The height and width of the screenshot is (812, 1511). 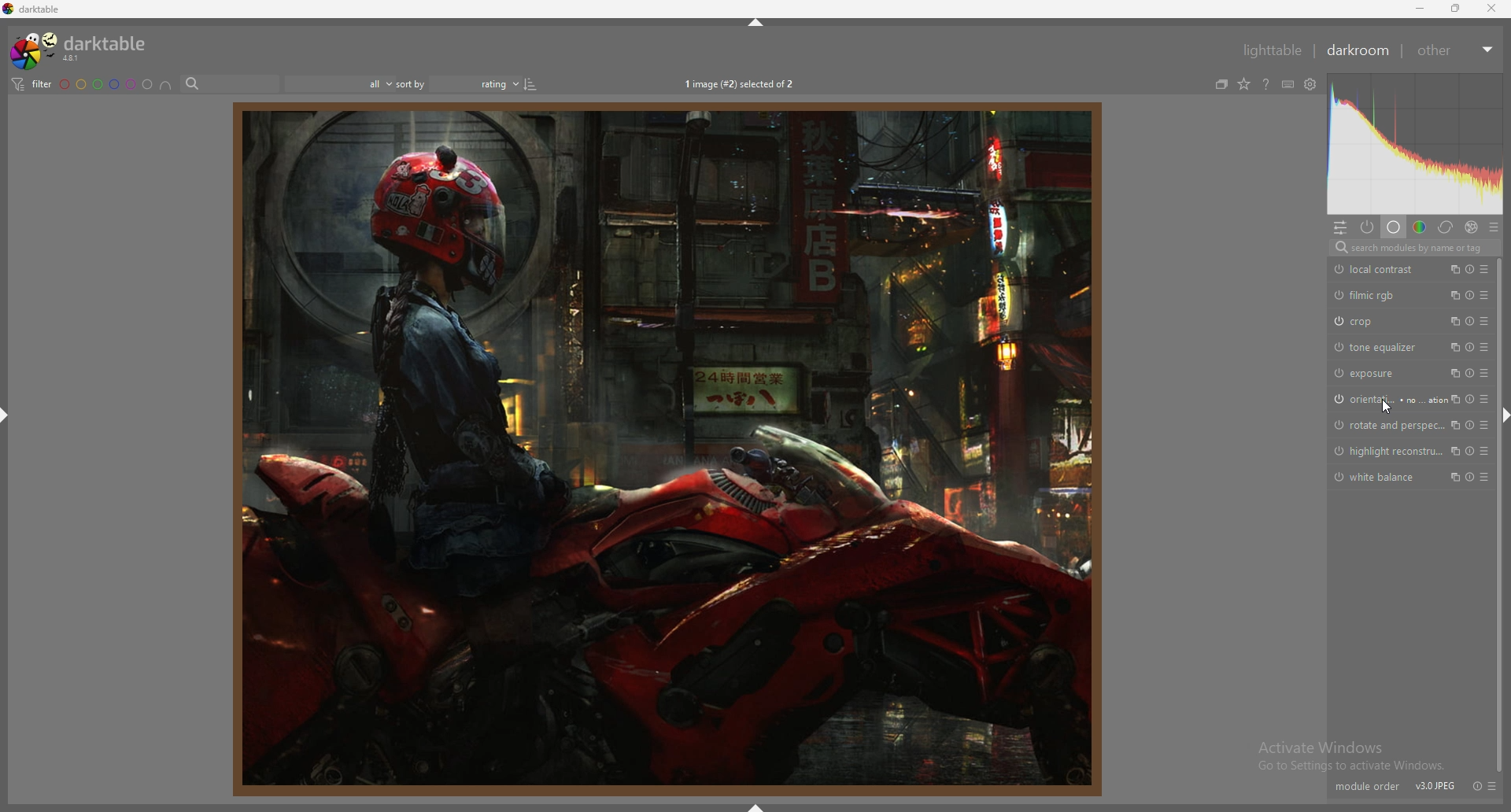 What do you see at coordinates (1470, 426) in the screenshot?
I see `reset` at bounding box center [1470, 426].